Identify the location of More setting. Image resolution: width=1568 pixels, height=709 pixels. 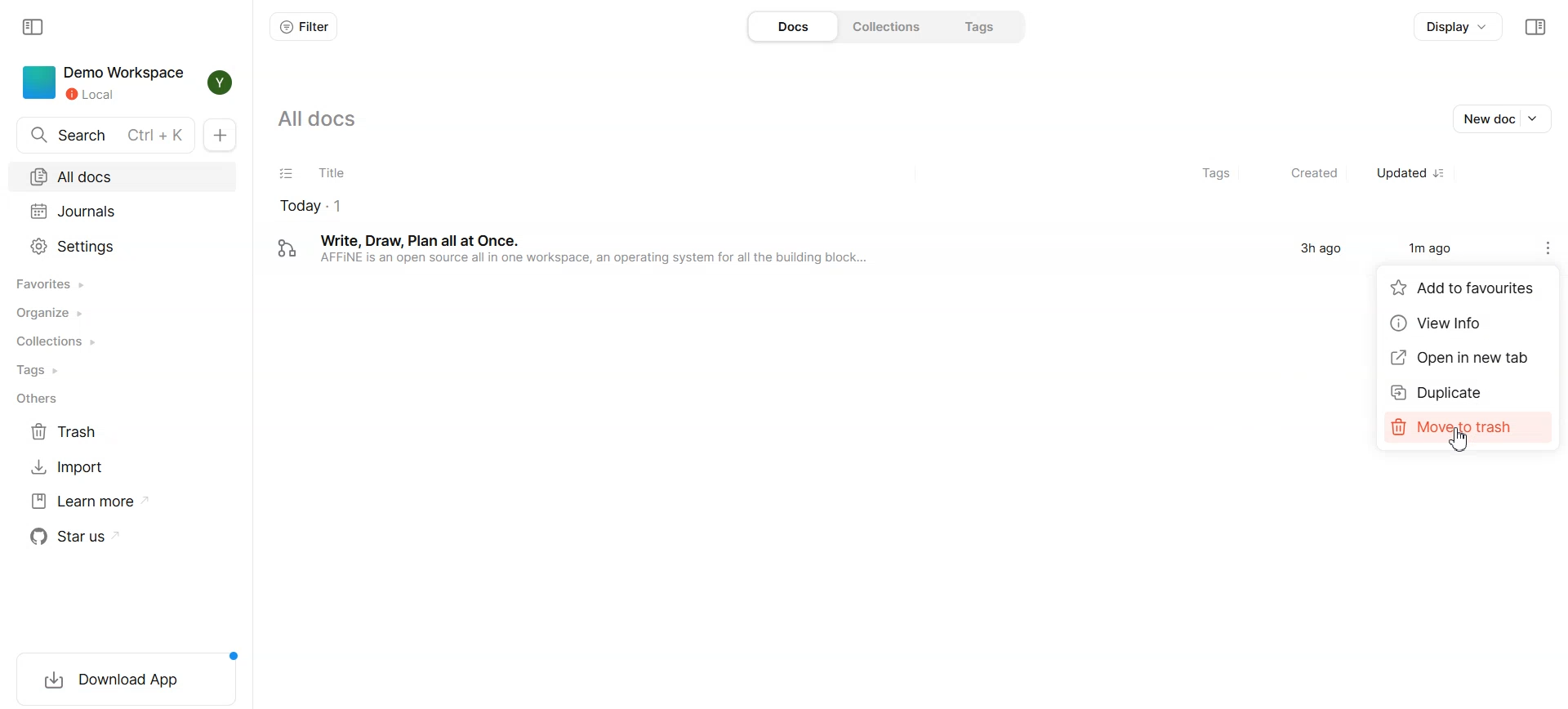
(1552, 247).